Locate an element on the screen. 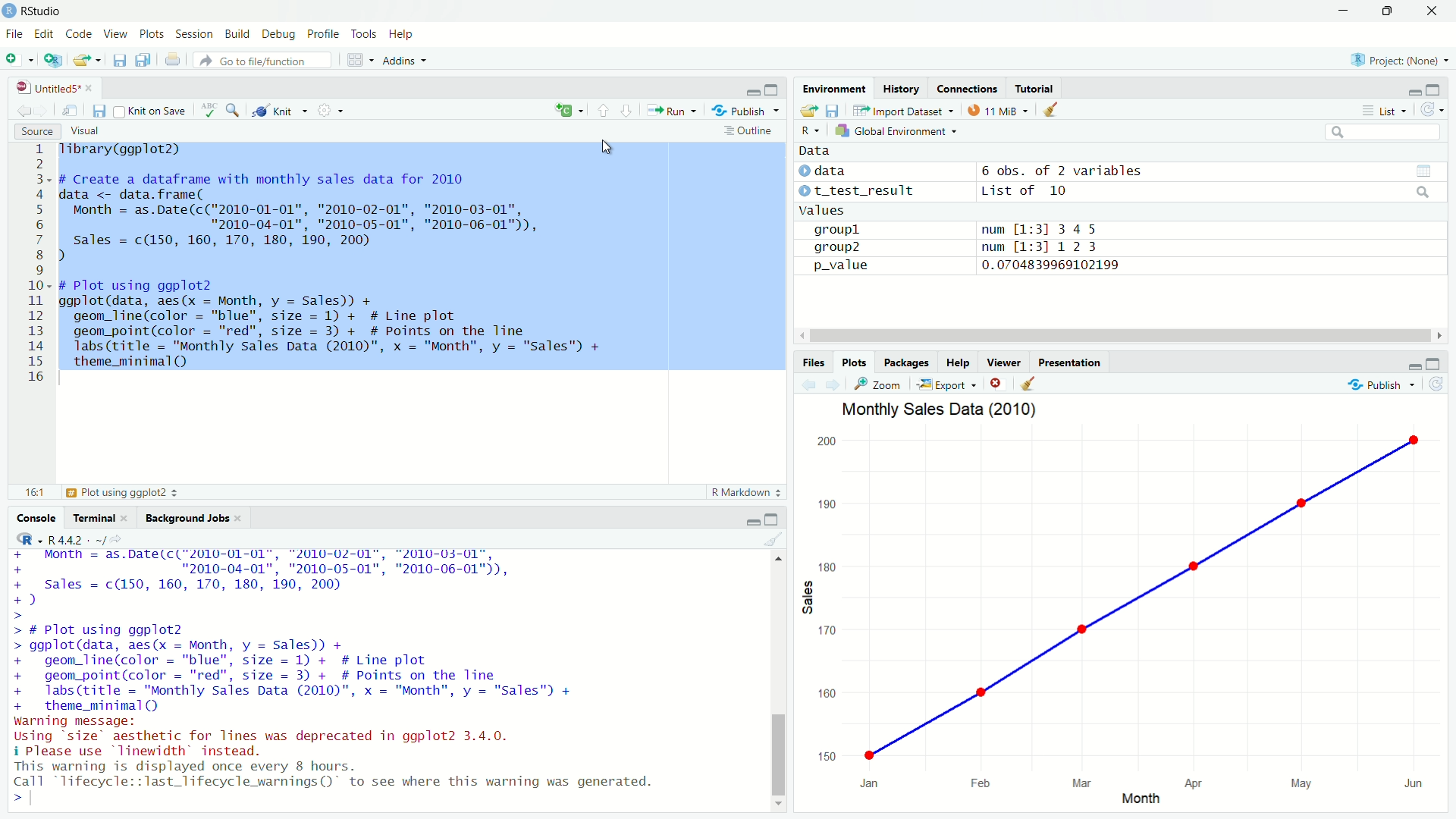 Image resolution: width=1456 pixels, height=819 pixels. zoom is located at coordinates (879, 385).